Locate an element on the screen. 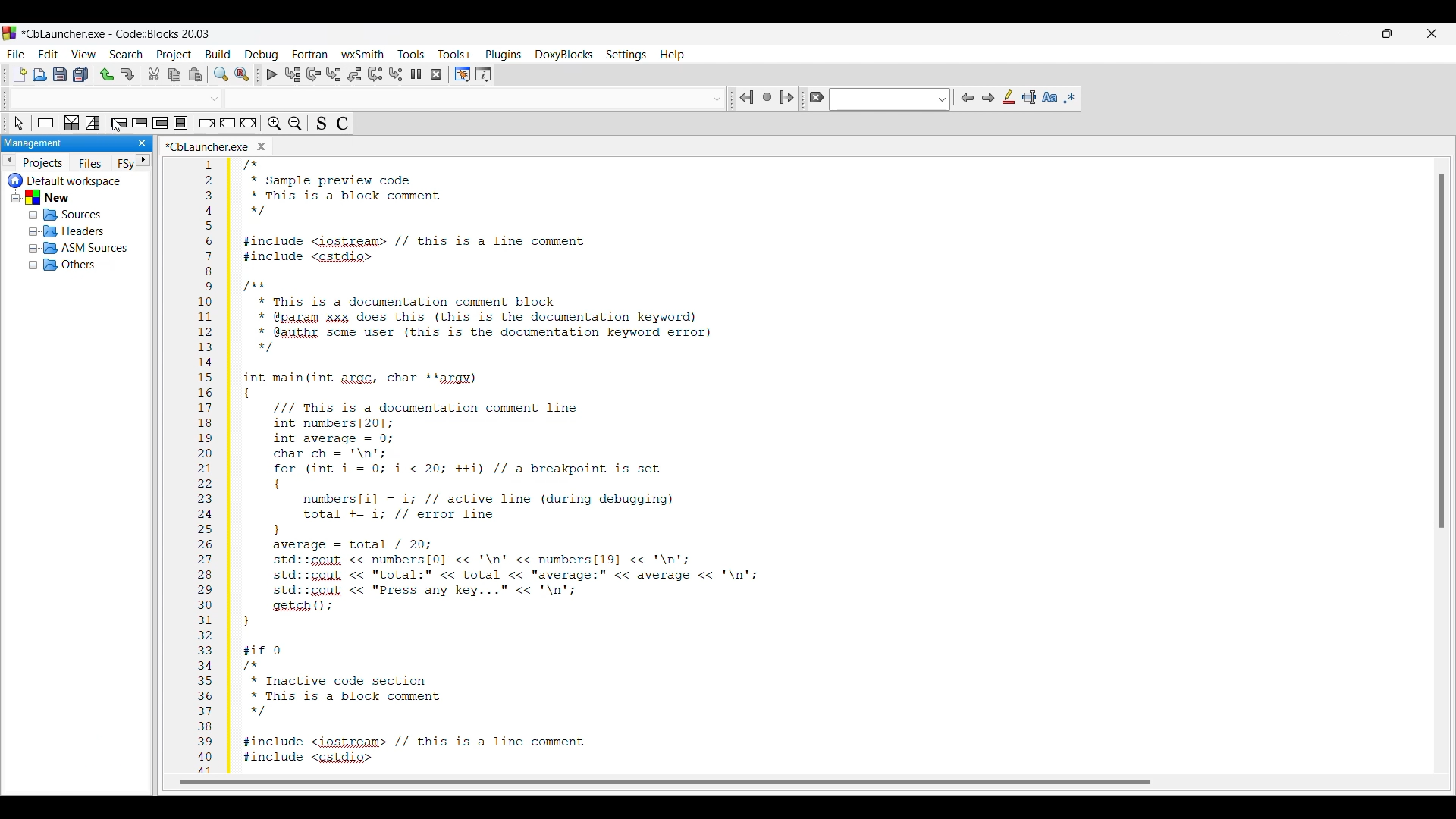  Step into instruction is located at coordinates (396, 74).